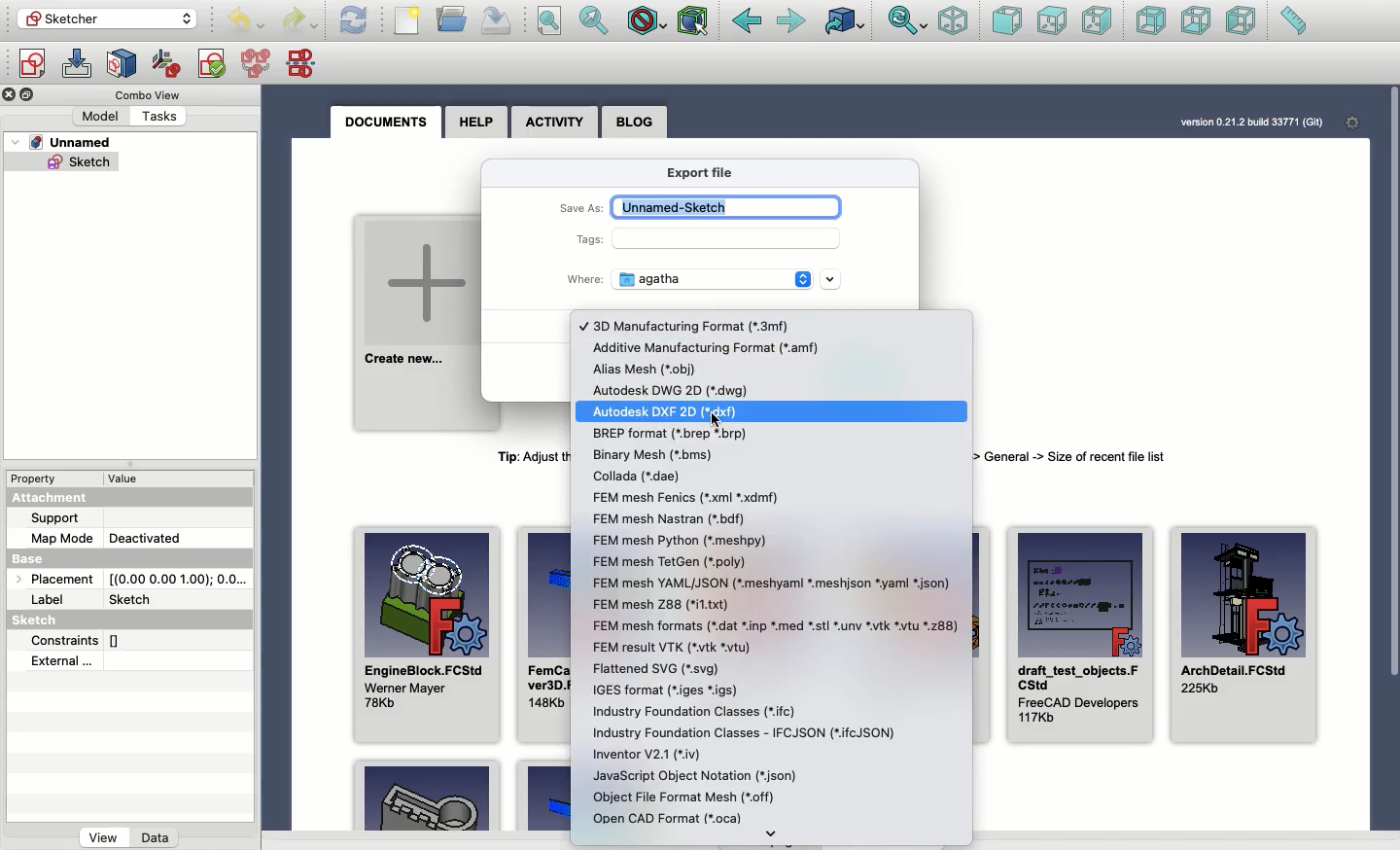 The width and height of the screenshot is (1400, 850). I want to click on Measure, so click(1293, 22).